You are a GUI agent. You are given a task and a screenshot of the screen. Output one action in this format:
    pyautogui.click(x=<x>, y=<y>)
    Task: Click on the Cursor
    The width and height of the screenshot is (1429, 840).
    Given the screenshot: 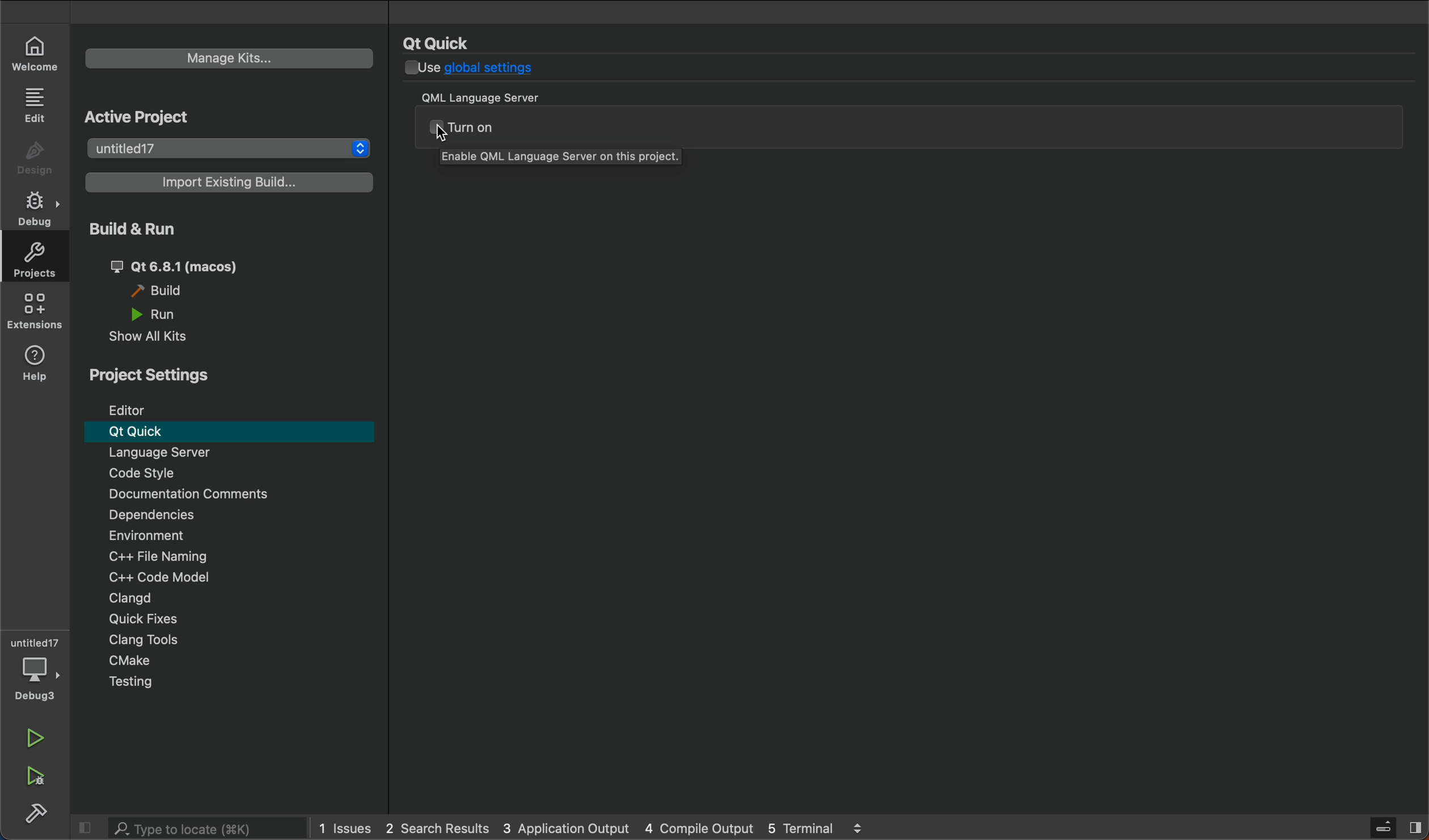 What is the action you would take?
    pyautogui.click(x=443, y=135)
    